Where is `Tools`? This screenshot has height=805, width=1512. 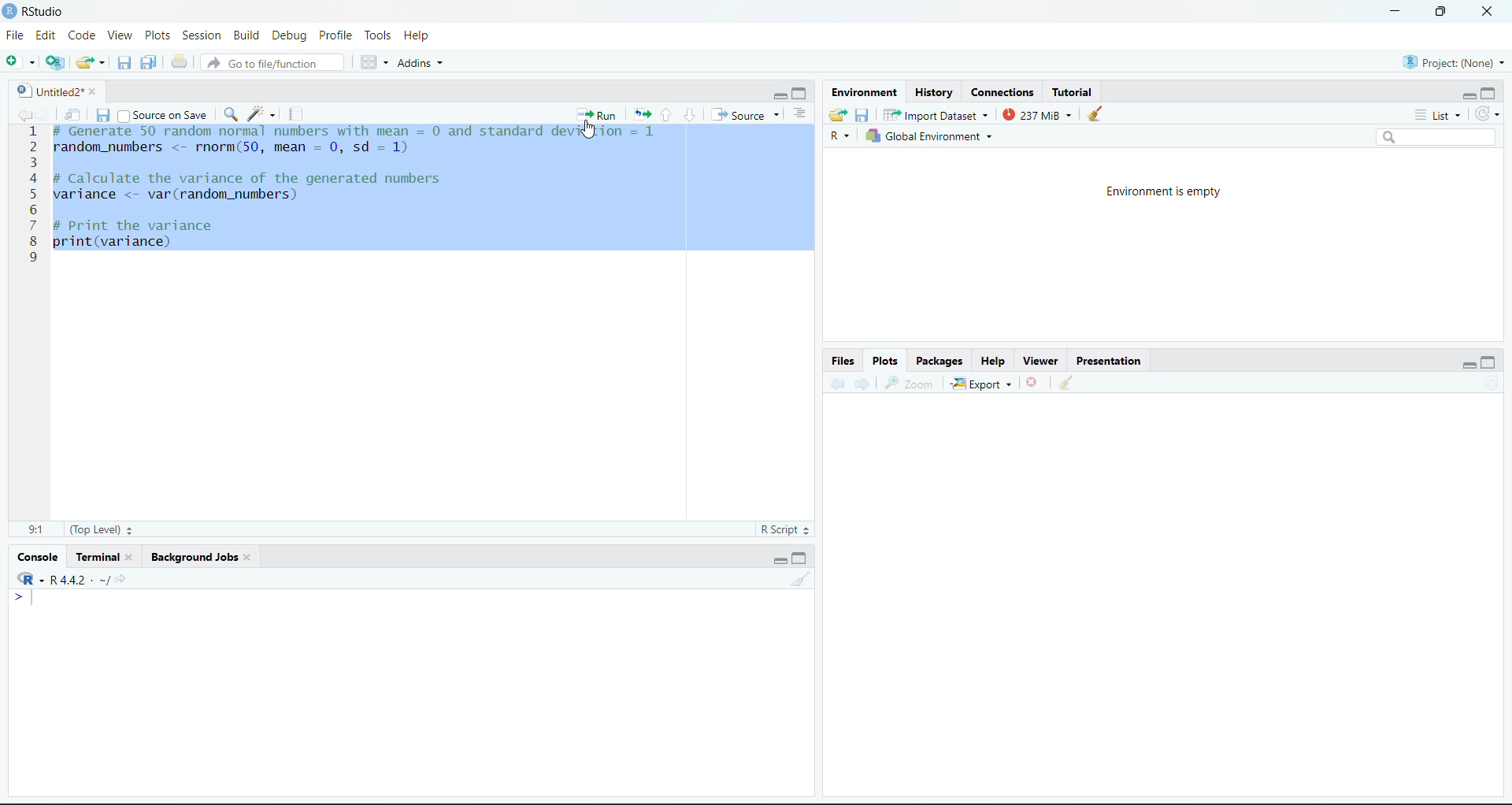
Tools is located at coordinates (380, 35).